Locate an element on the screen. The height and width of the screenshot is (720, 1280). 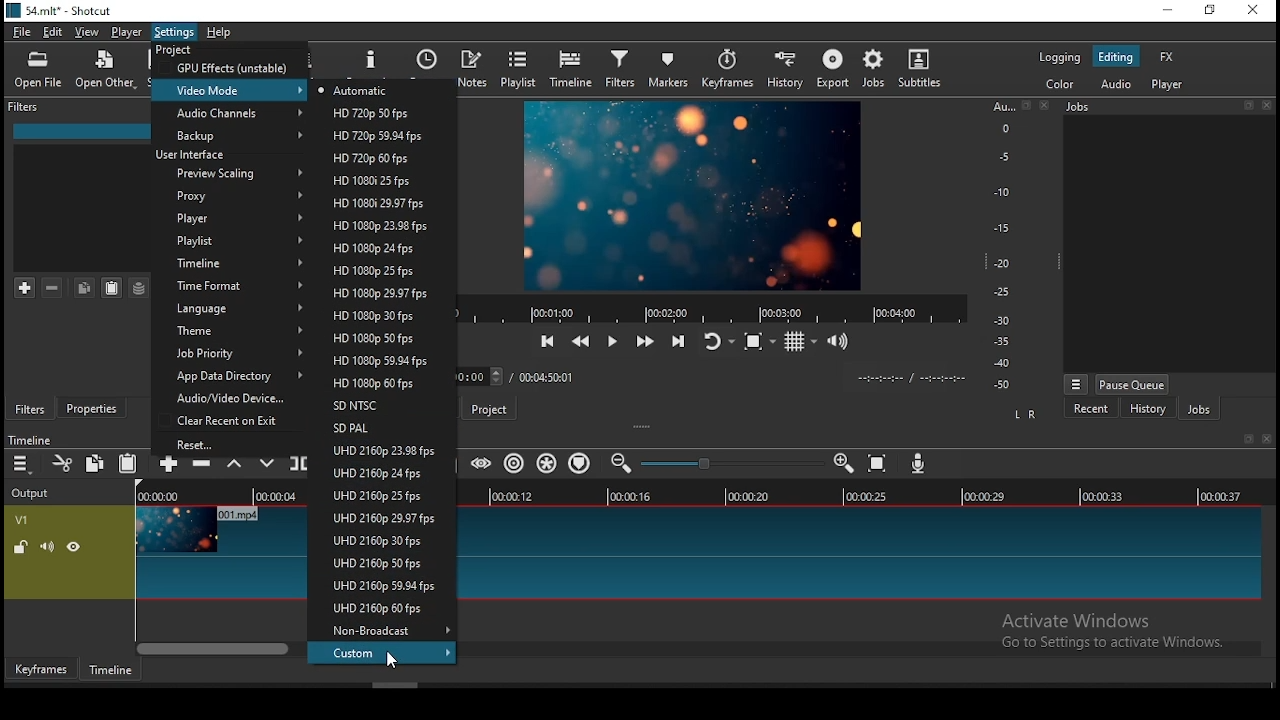
subtitles is located at coordinates (919, 68).